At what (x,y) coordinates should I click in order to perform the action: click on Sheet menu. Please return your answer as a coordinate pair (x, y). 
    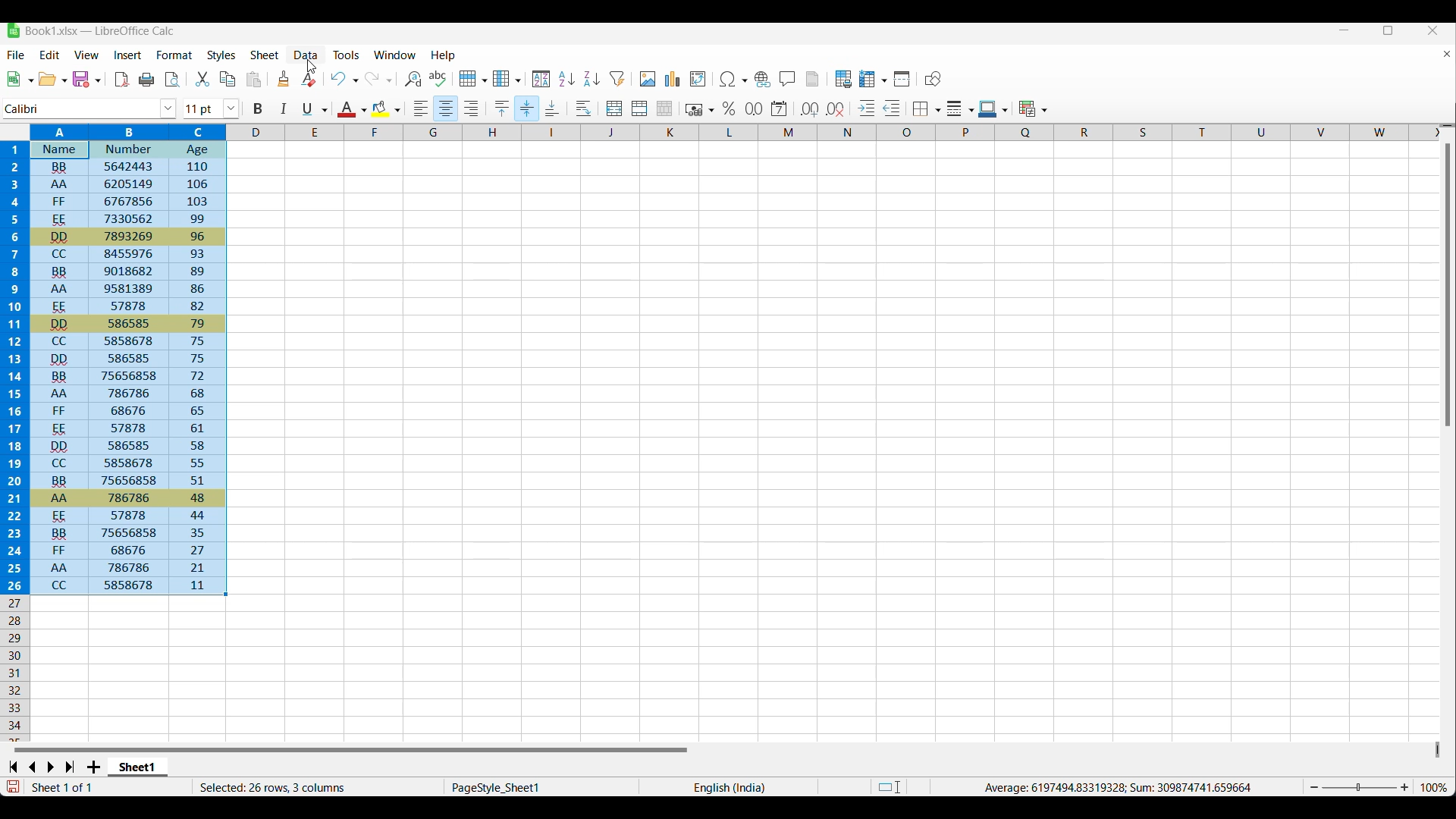
    Looking at the image, I should click on (265, 55).